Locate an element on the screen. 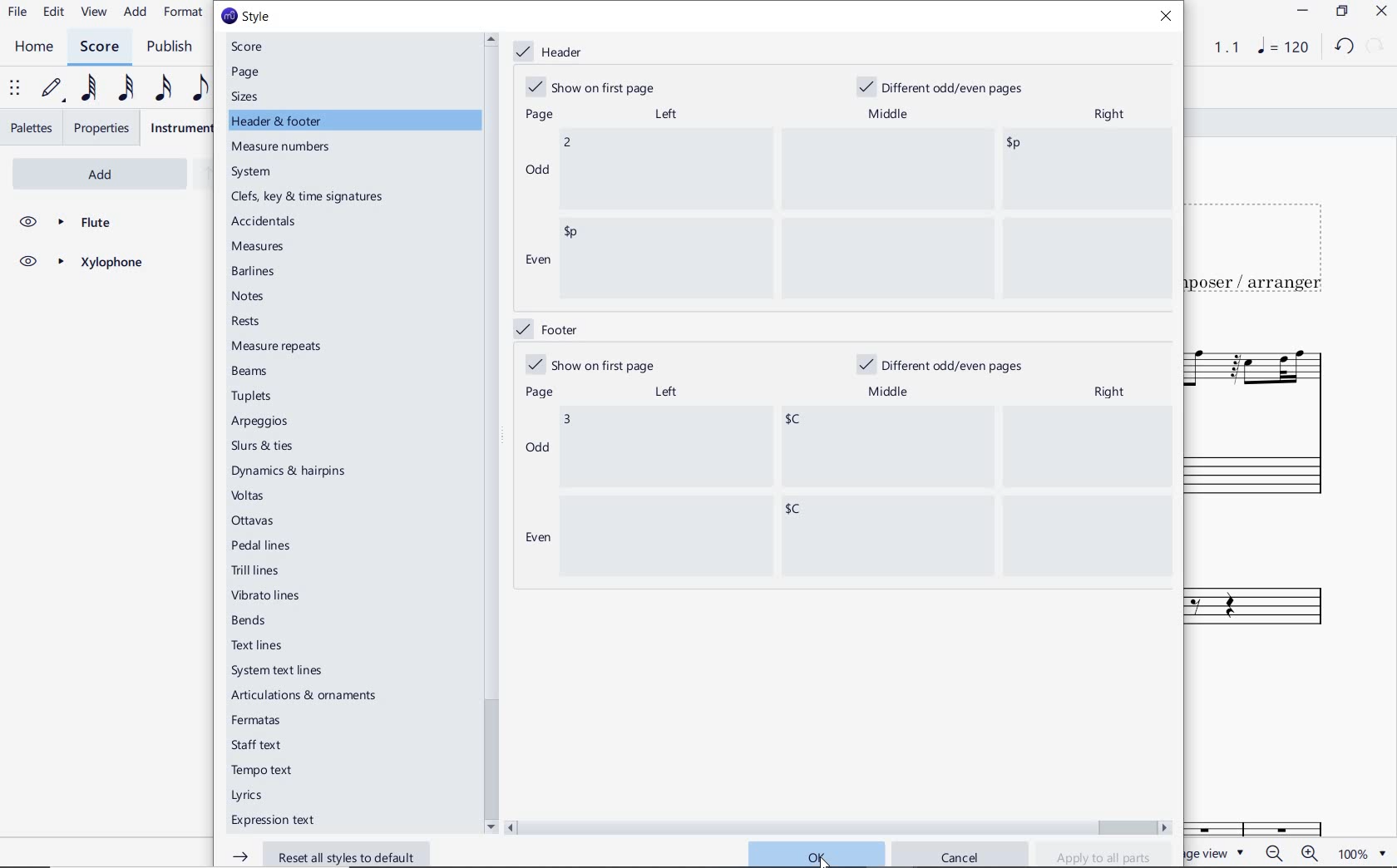  bends is located at coordinates (252, 621).